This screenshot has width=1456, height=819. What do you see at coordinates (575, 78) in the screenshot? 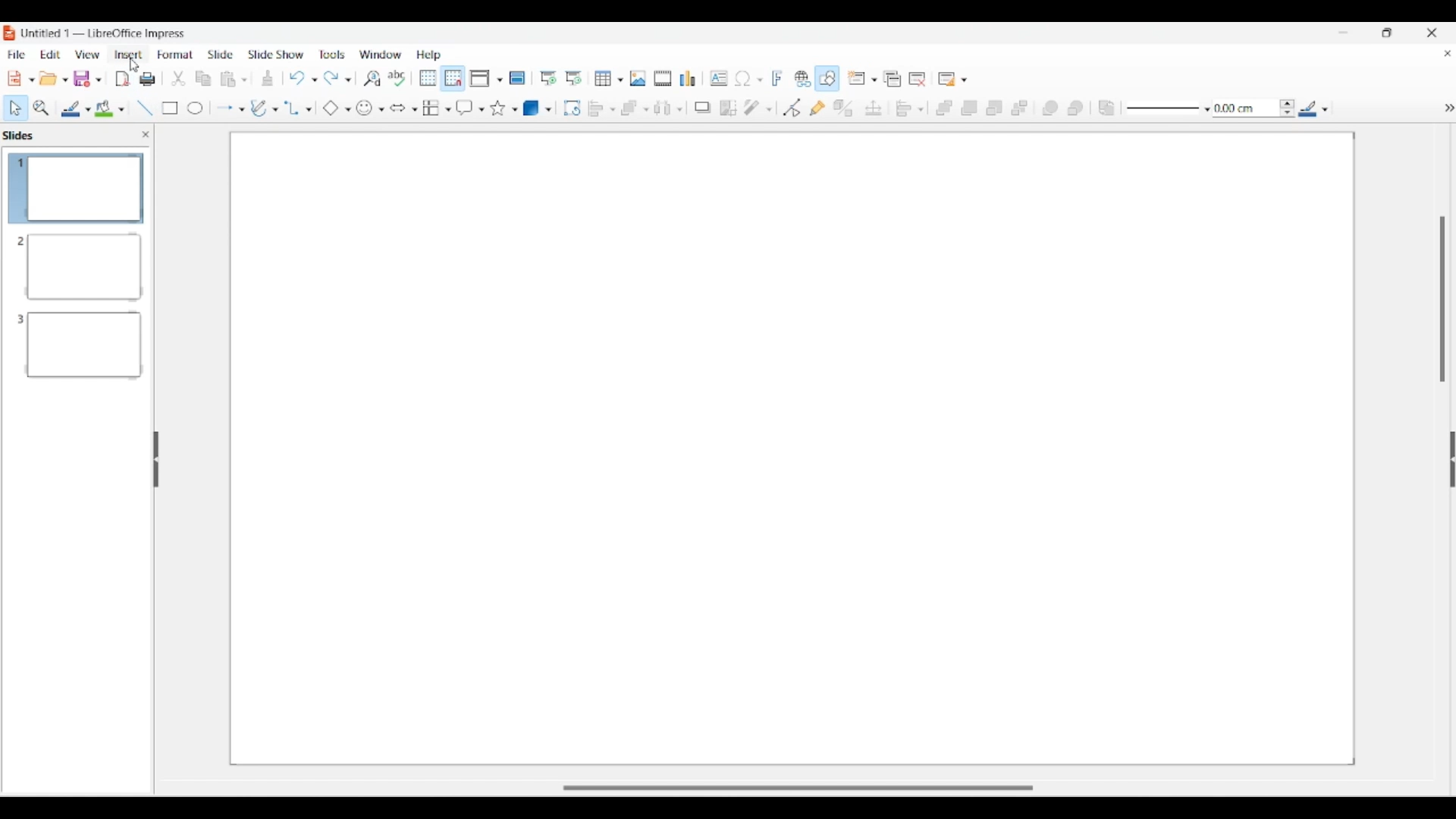
I see `Start from current slide` at bounding box center [575, 78].